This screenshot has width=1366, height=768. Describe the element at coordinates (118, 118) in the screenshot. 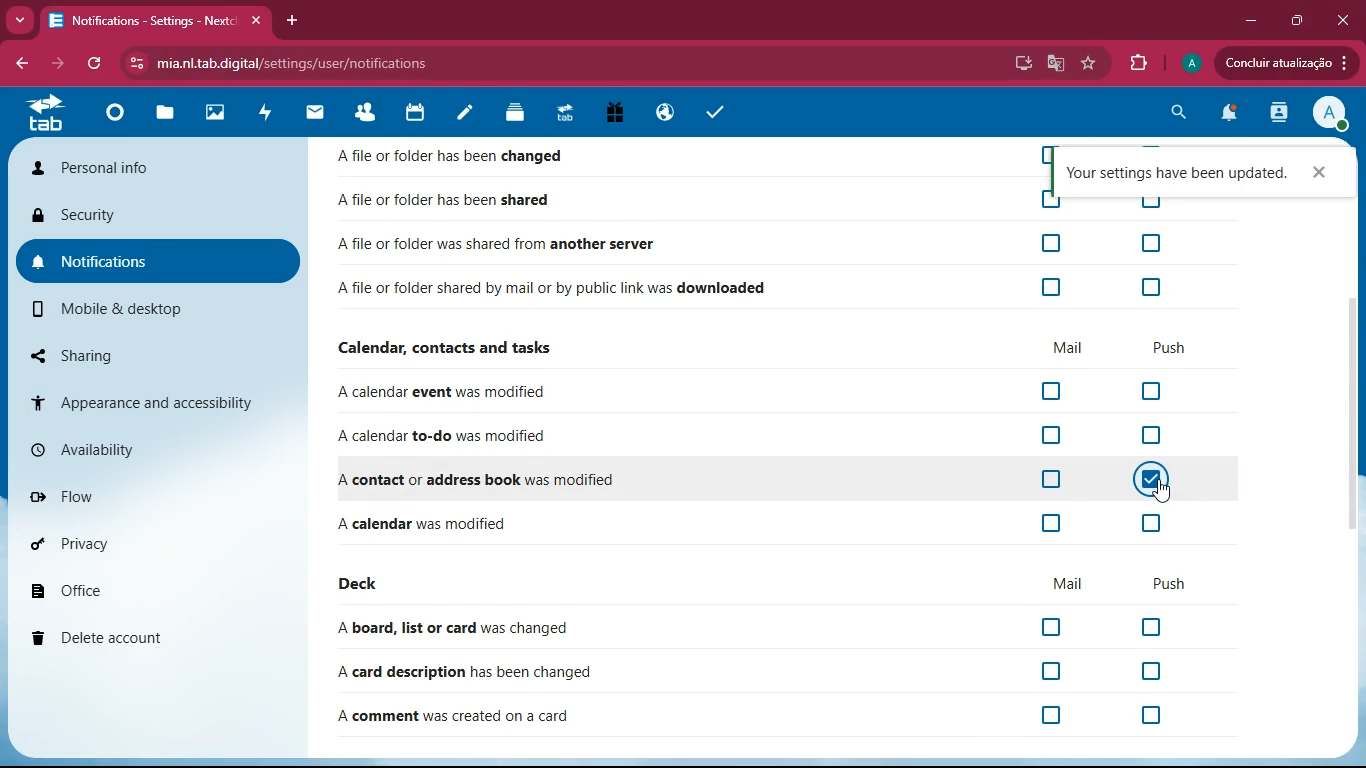

I see `home` at that location.